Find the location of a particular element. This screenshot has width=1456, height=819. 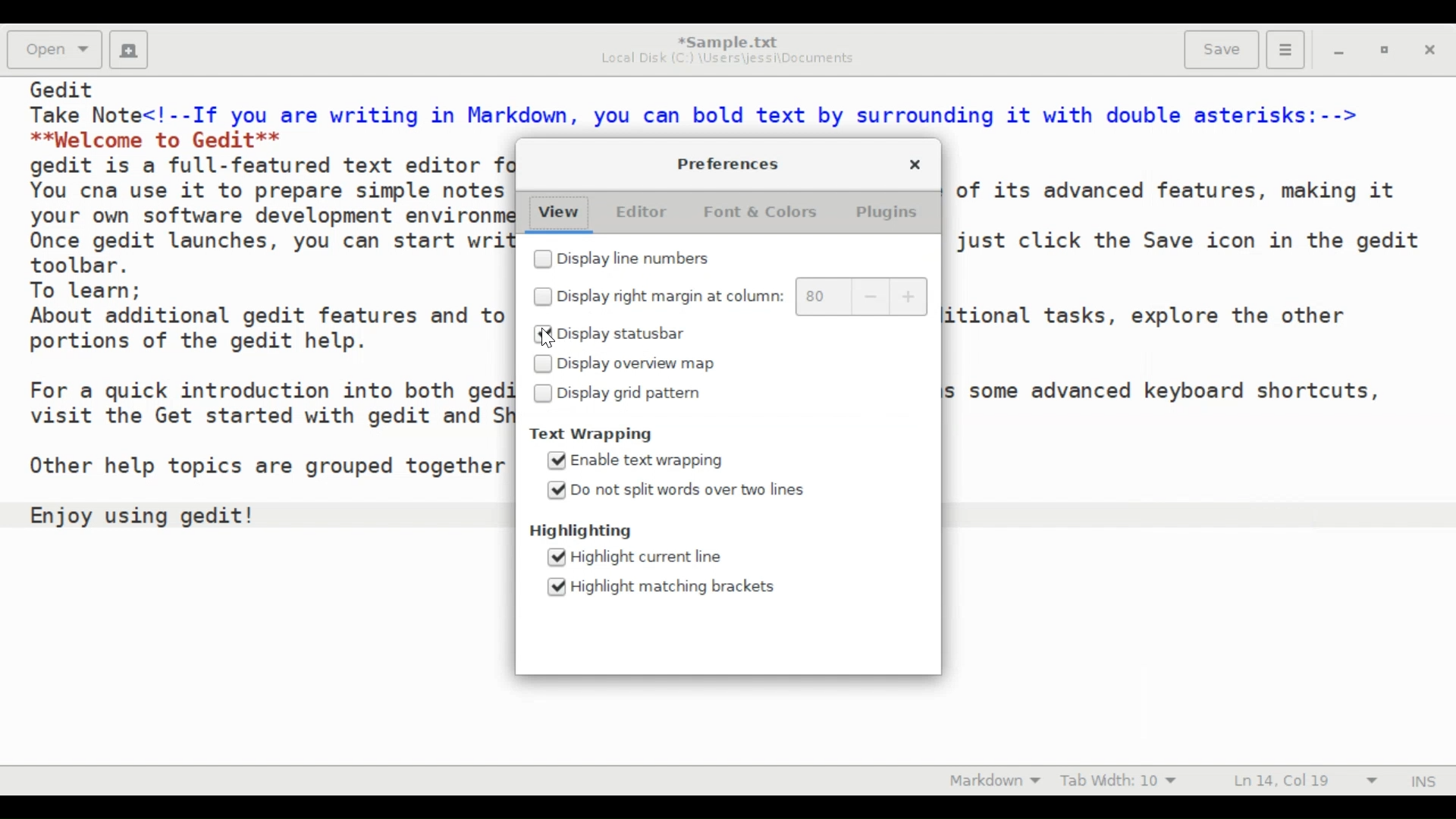

increase is located at coordinates (911, 298).